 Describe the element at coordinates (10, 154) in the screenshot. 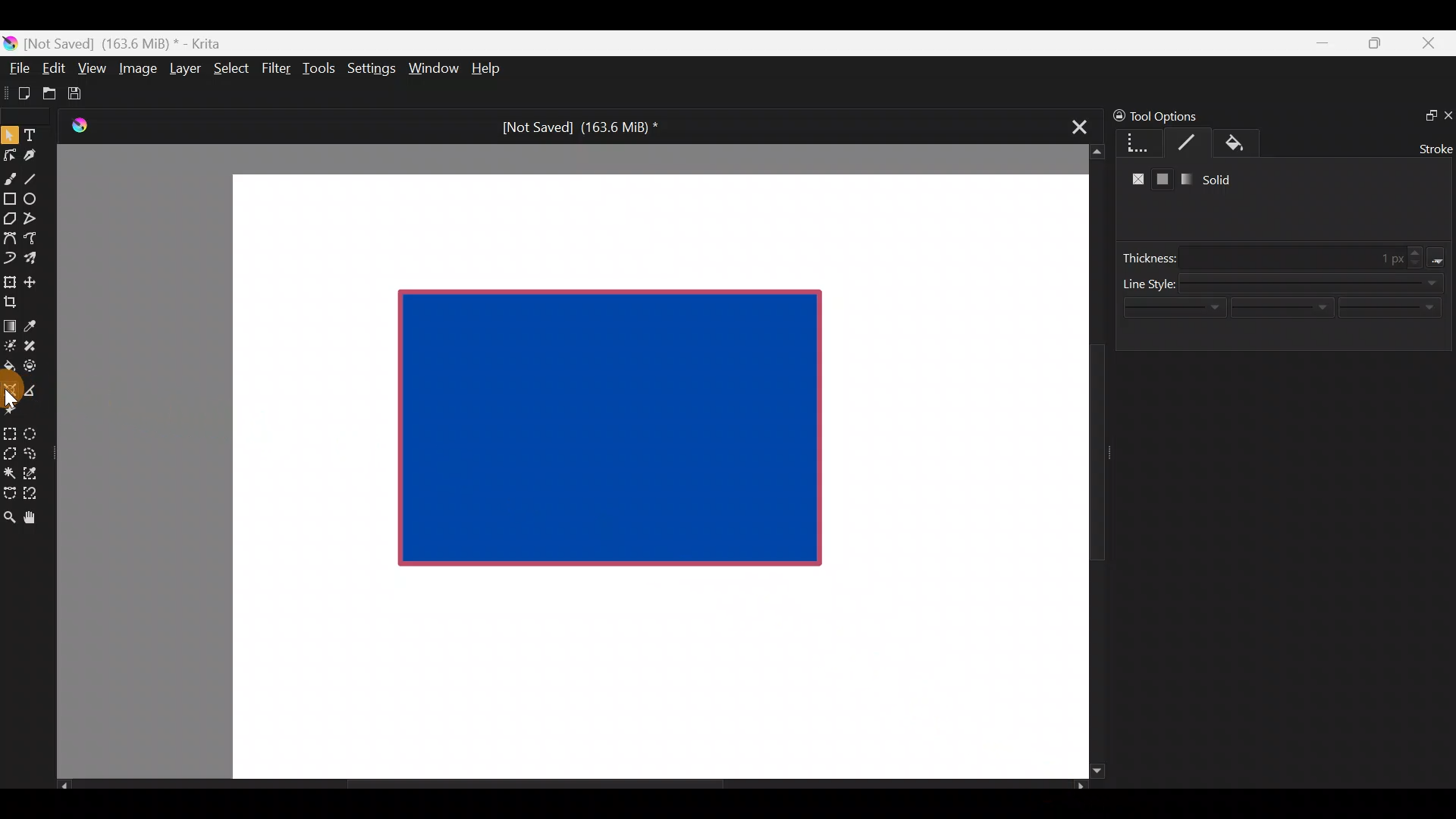

I see `Edit shapes tool` at that location.